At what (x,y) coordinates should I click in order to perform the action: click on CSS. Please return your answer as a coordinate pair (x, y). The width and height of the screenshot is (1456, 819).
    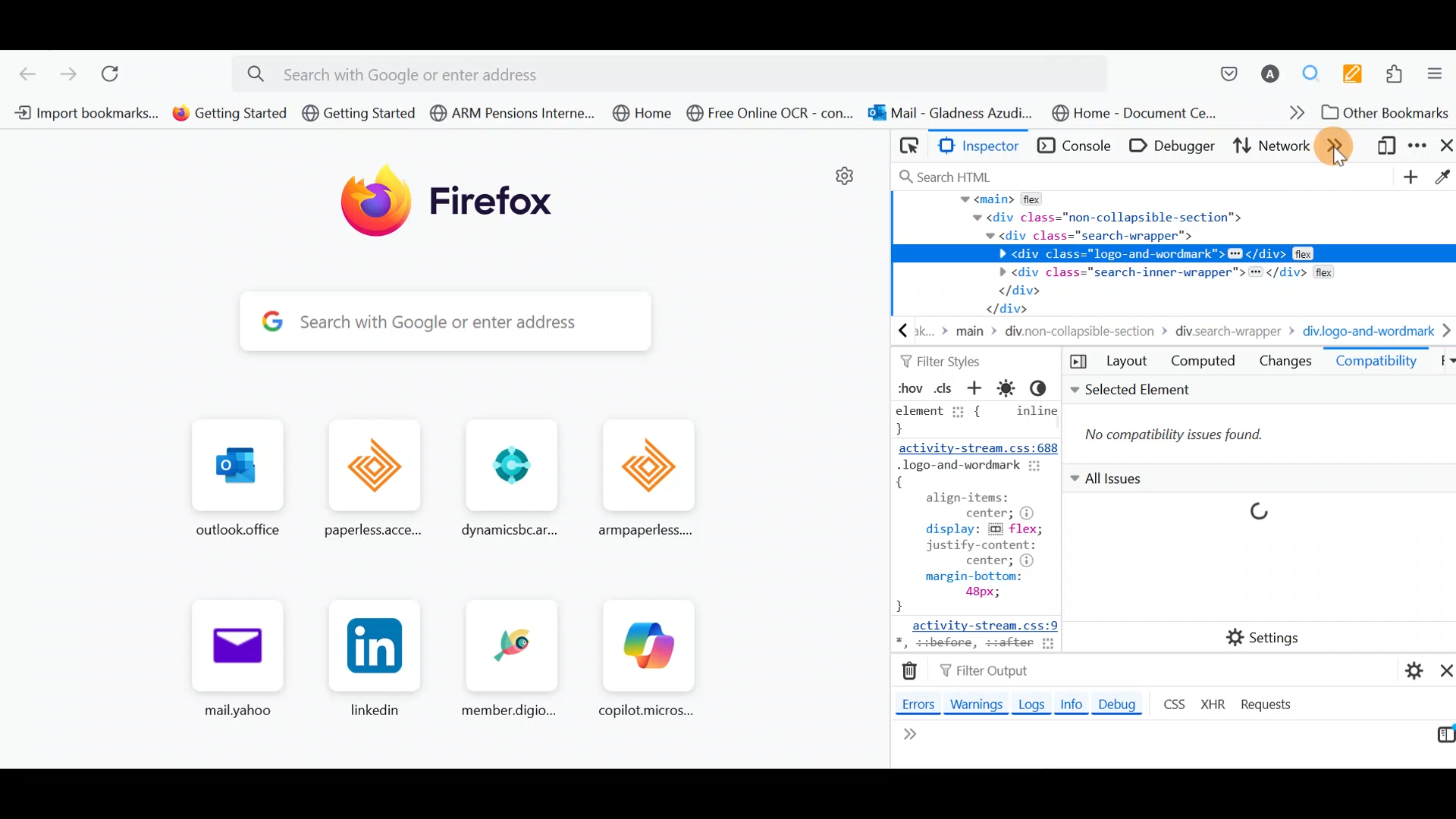
    Looking at the image, I should click on (1172, 703).